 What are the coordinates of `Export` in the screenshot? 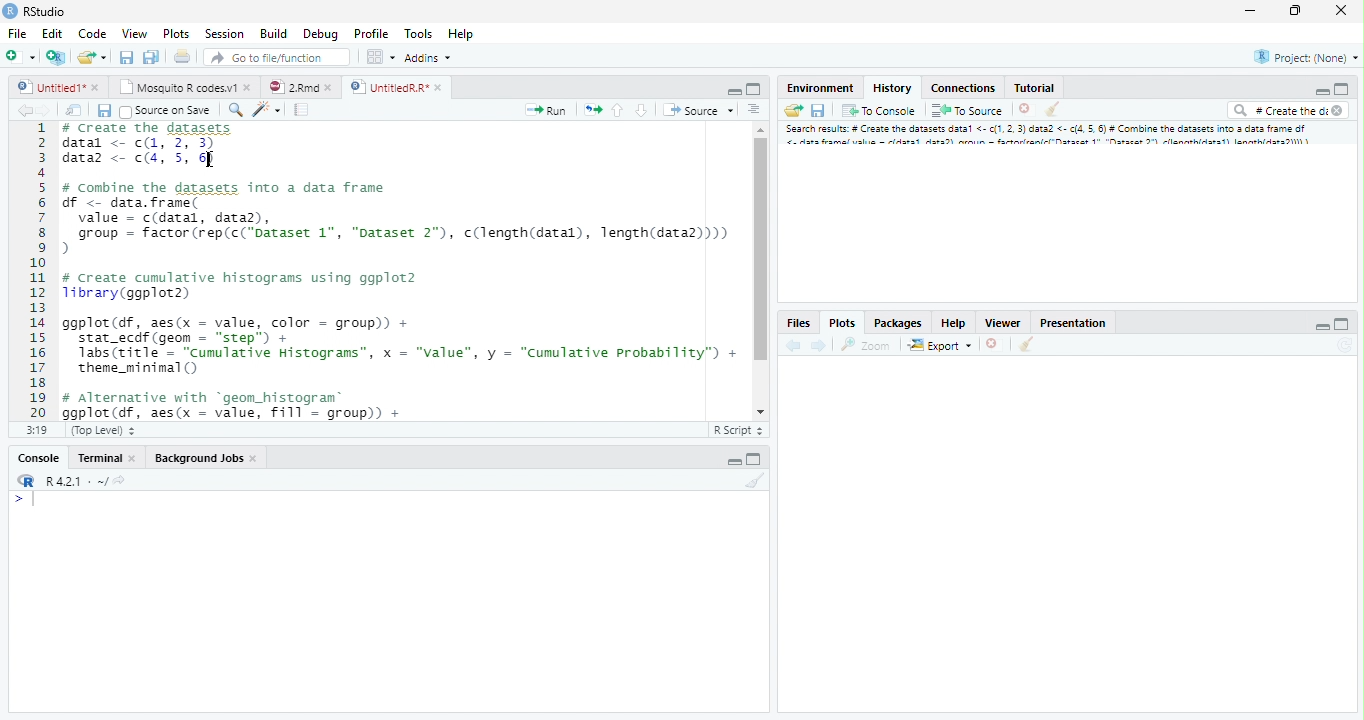 It's located at (940, 345).